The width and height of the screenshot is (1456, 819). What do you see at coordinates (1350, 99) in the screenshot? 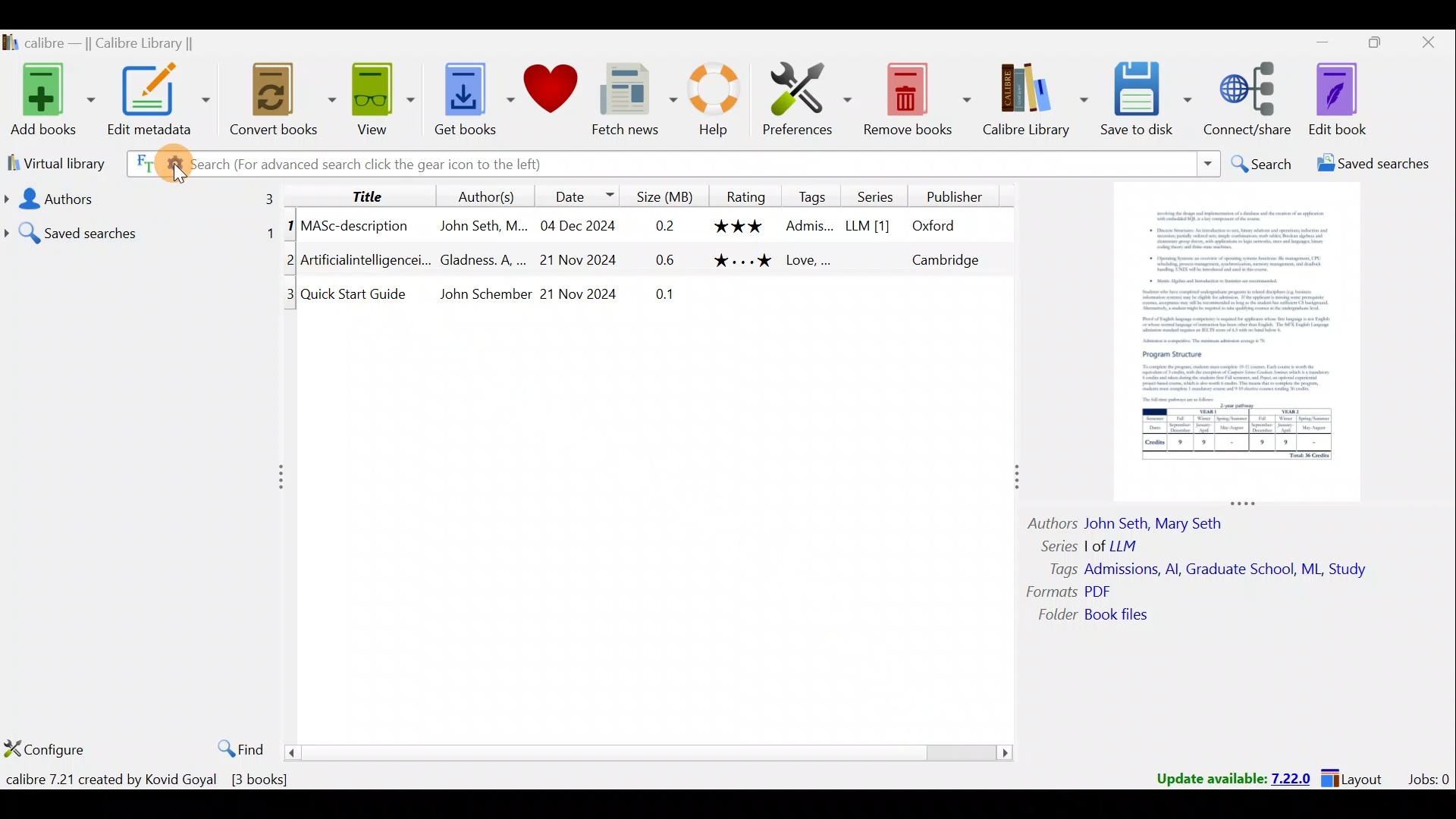
I see `Edit book` at bounding box center [1350, 99].